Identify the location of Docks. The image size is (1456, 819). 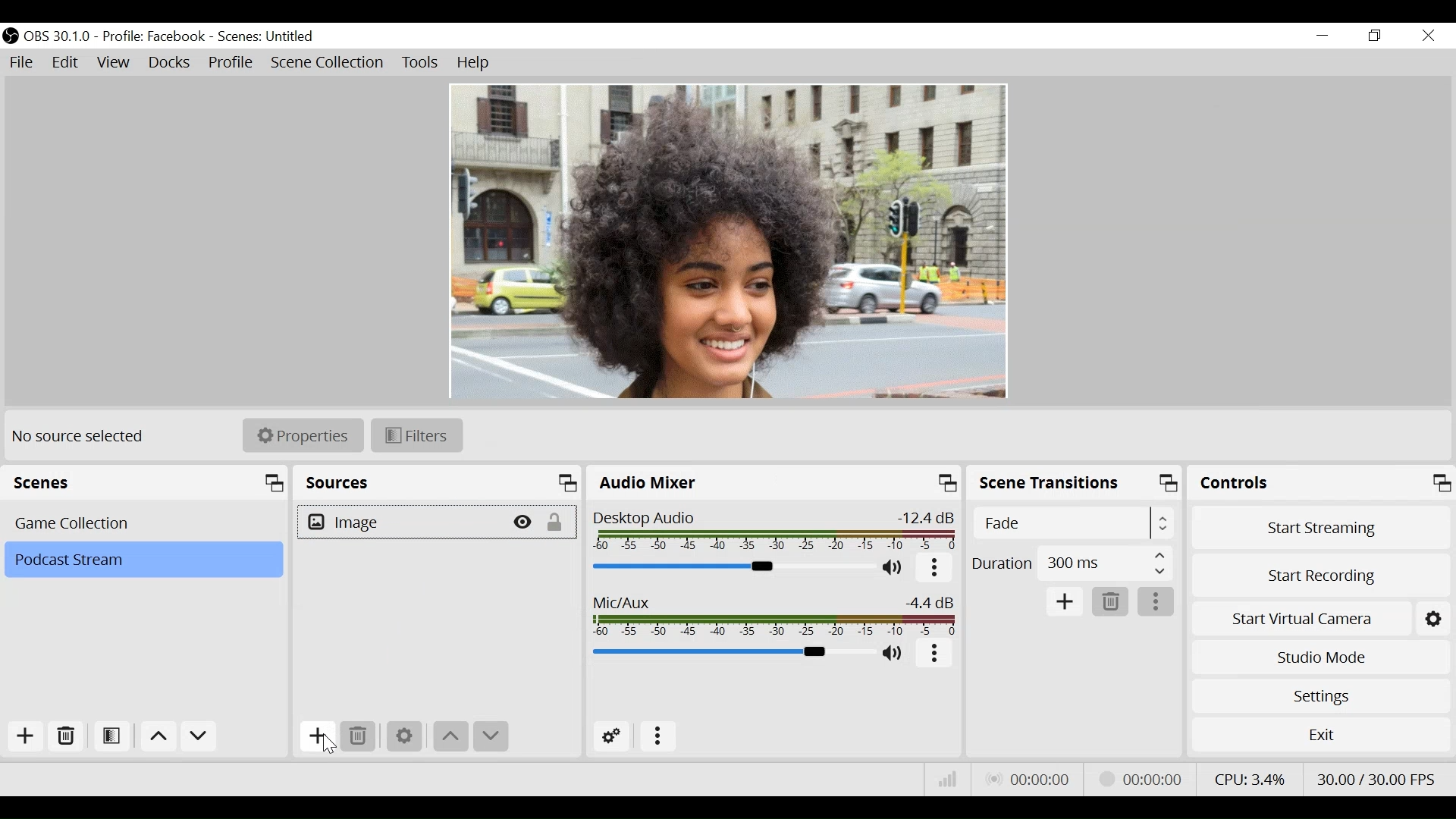
(171, 64).